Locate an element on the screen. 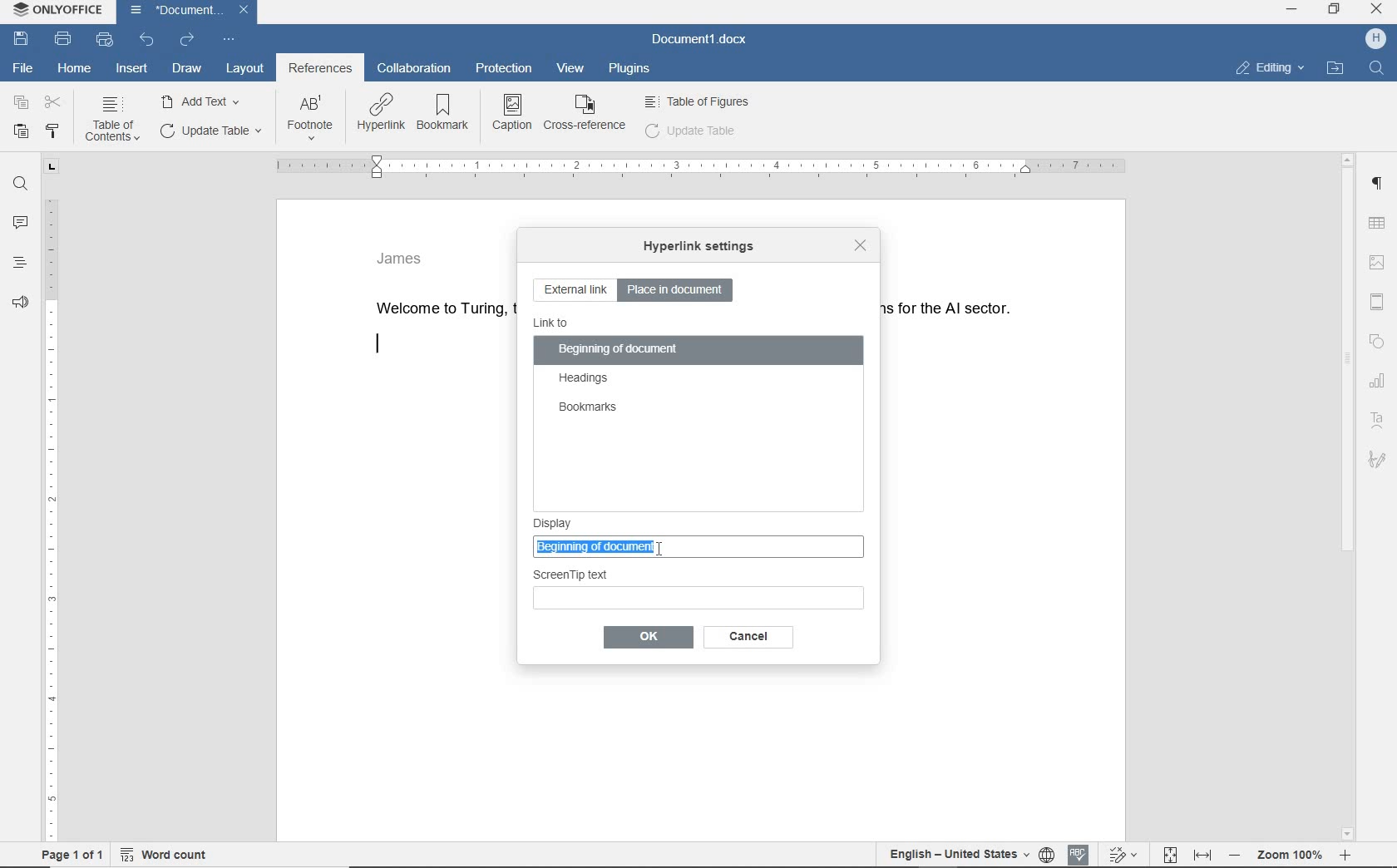 This screenshot has height=868, width=1397. Open file location is located at coordinates (1340, 65).